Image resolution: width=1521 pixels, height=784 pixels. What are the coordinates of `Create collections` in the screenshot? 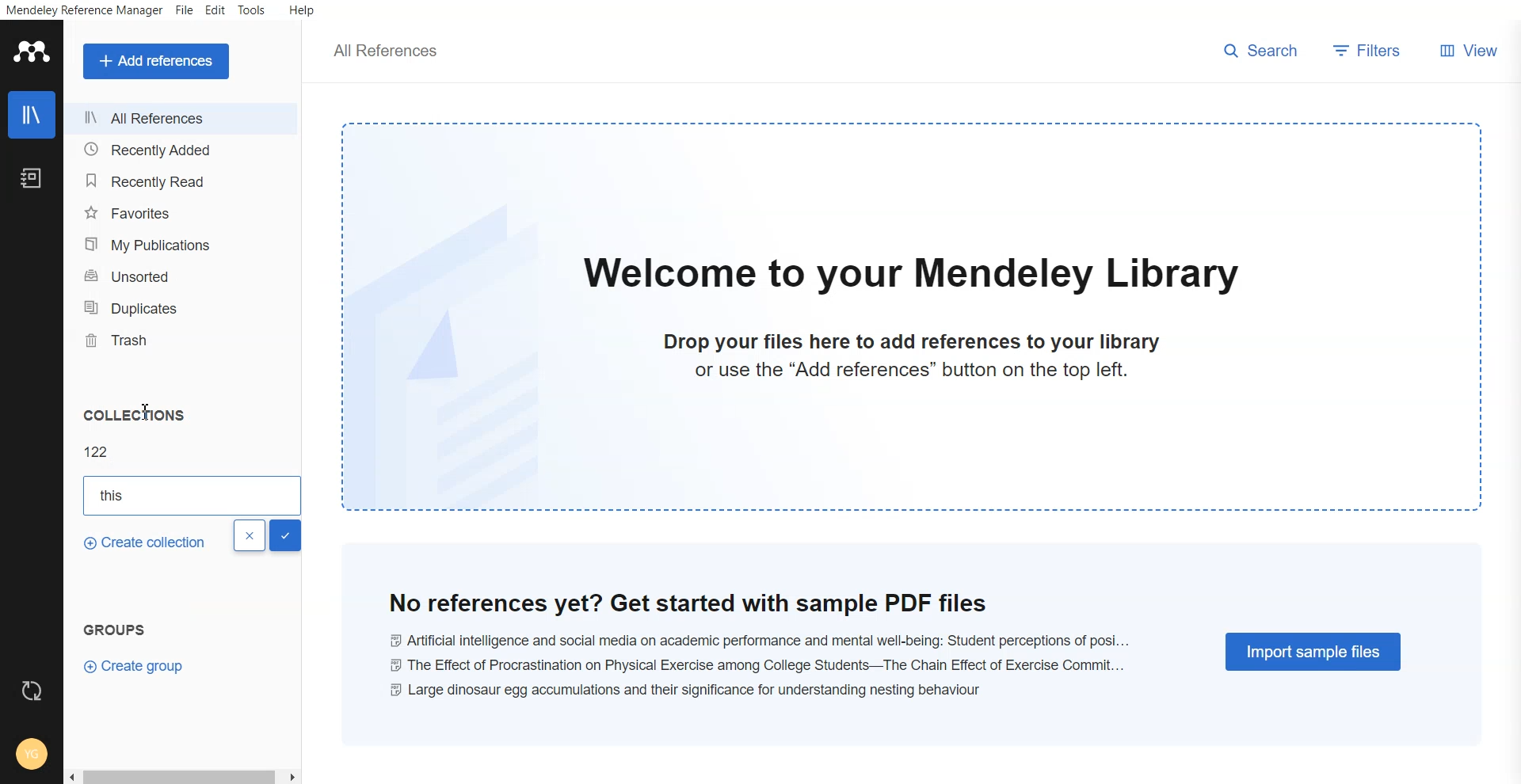 It's located at (151, 542).